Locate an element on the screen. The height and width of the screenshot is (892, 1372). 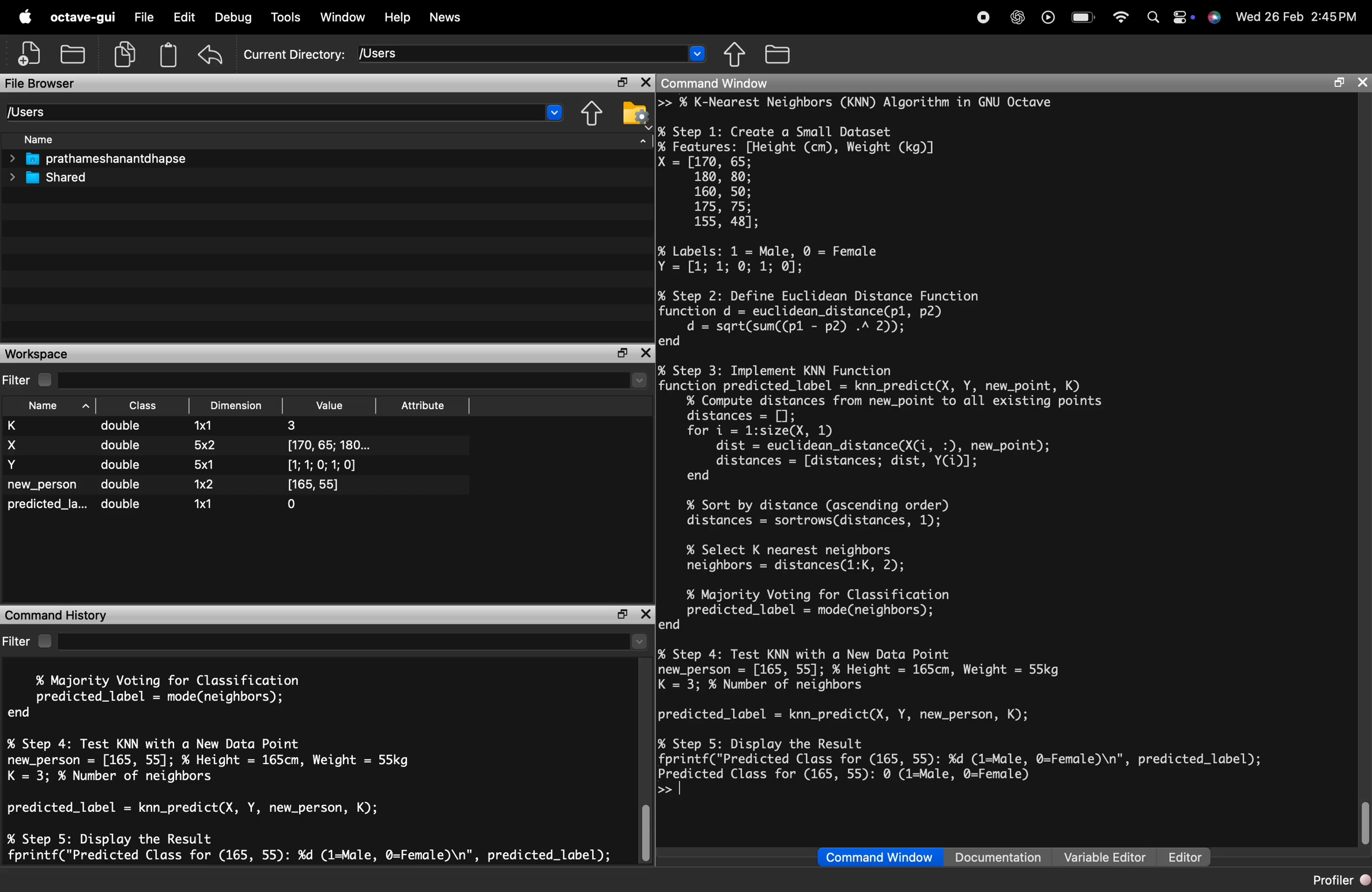
Tools is located at coordinates (284, 16).